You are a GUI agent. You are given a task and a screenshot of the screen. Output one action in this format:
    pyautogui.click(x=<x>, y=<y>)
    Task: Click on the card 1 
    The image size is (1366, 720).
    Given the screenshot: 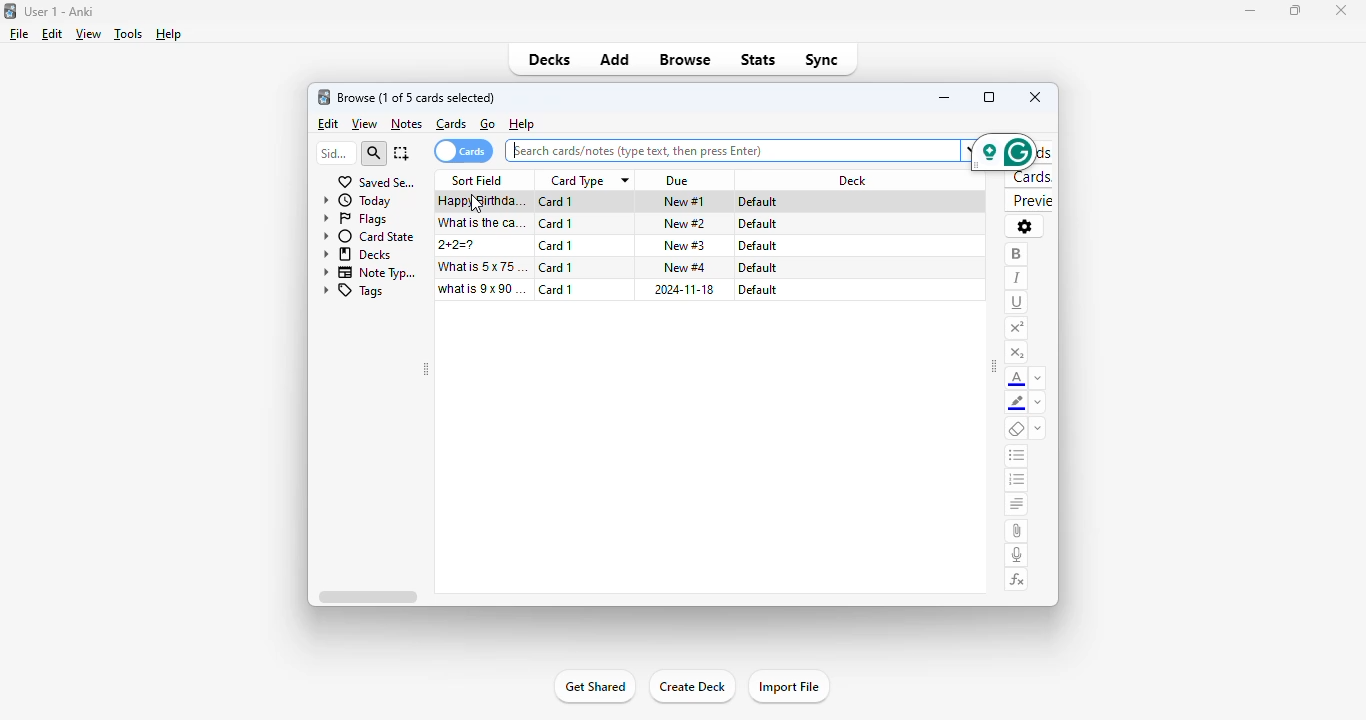 What is the action you would take?
    pyautogui.click(x=556, y=289)
    